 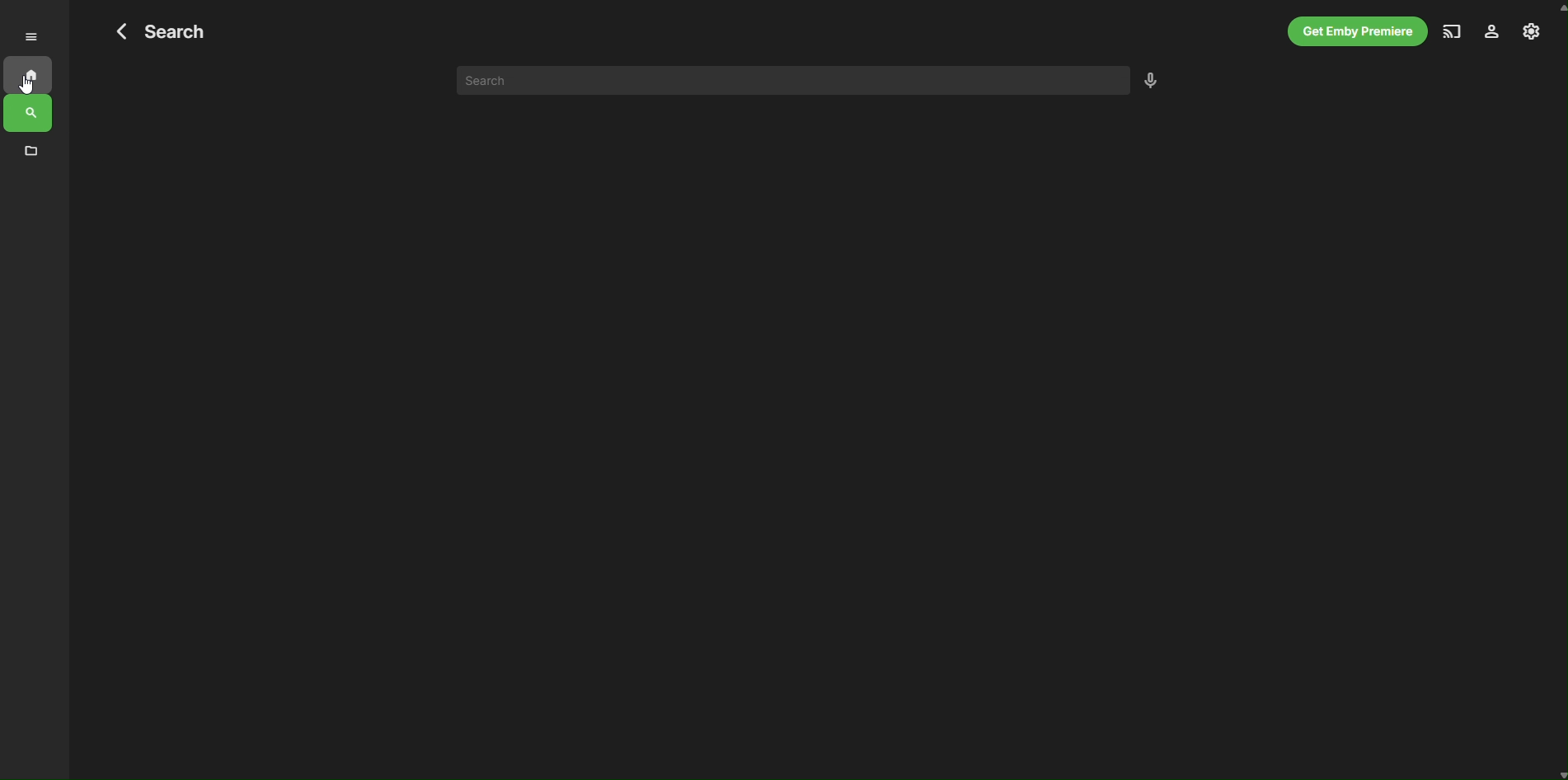 I want to click on Get Premium, so click(x=1350, y=32).